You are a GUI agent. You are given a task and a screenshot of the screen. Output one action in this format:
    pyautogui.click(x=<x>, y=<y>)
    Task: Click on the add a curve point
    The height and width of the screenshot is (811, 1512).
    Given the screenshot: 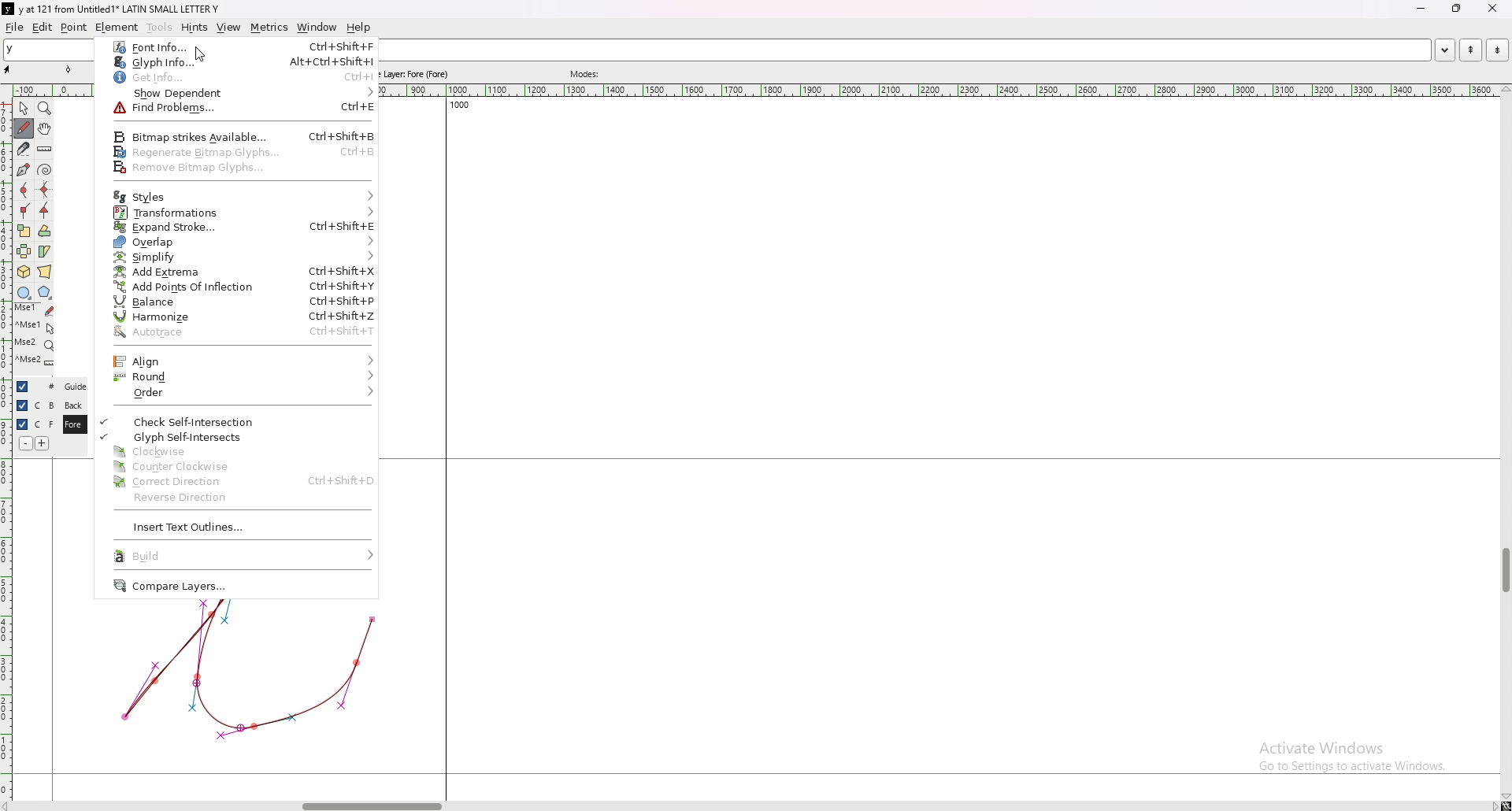 What is the action you would take?
    pyautogui.click(x=24, y=191)
    